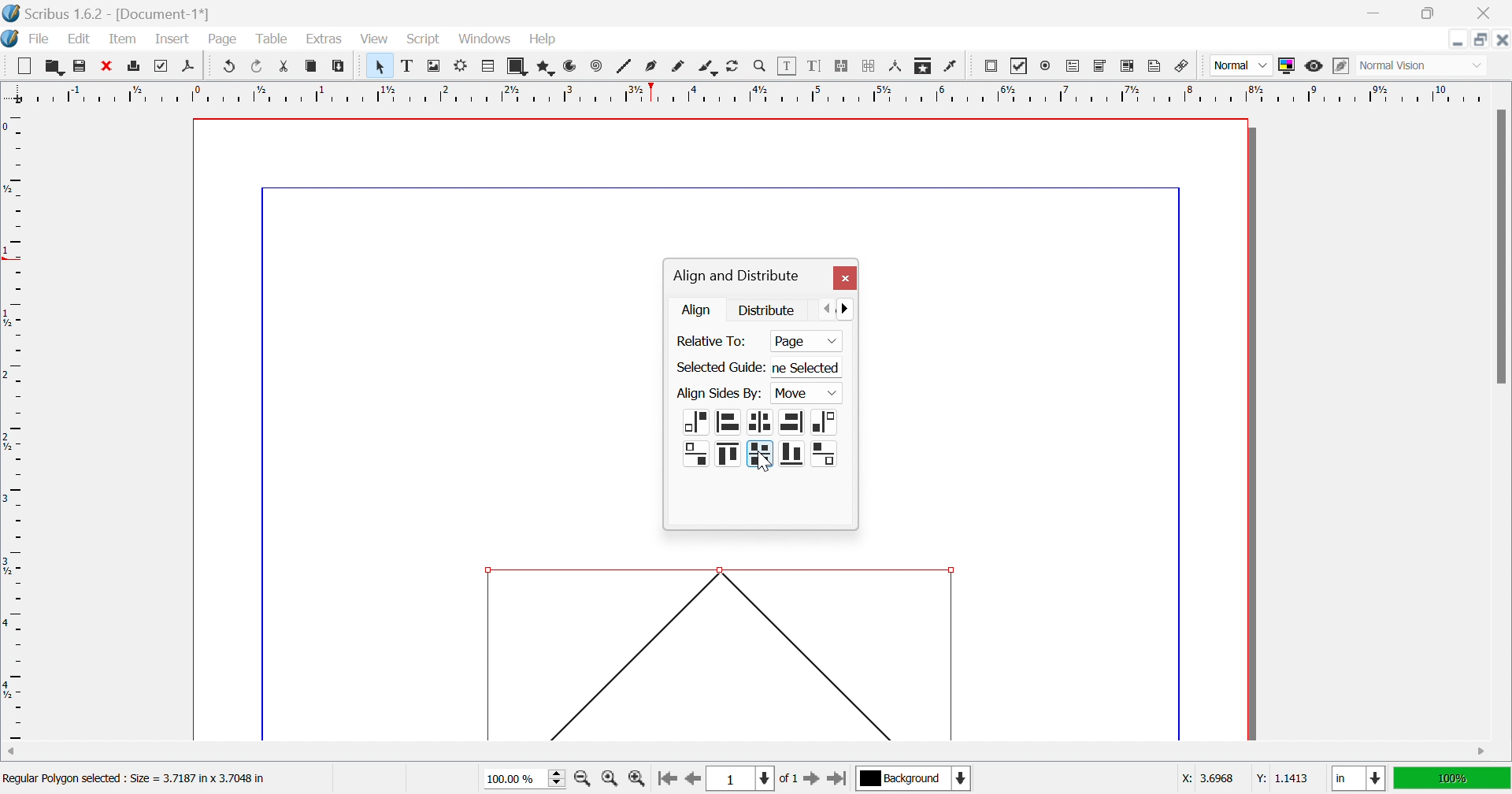 This screenshot has height=794, width=1512. I want to click on Link text frames, so click(840, 66).